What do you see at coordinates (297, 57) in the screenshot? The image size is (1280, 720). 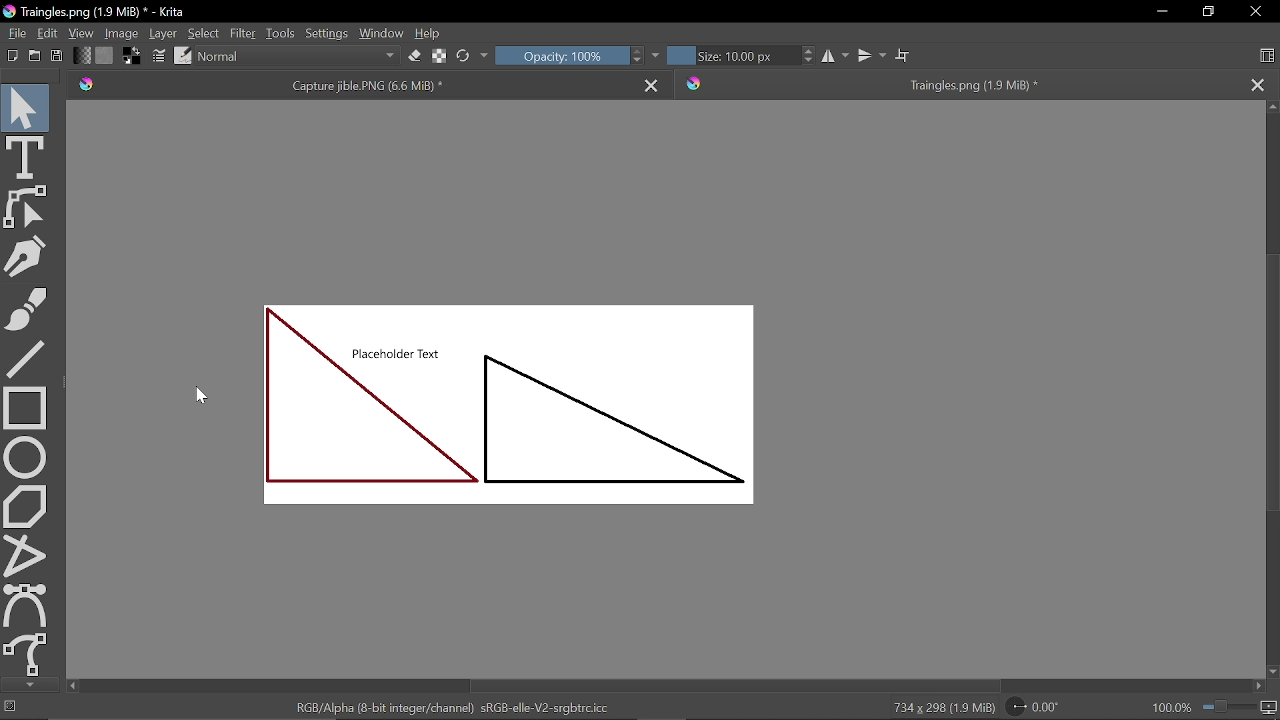 I see `Blending` at bounding box center [297, 57].